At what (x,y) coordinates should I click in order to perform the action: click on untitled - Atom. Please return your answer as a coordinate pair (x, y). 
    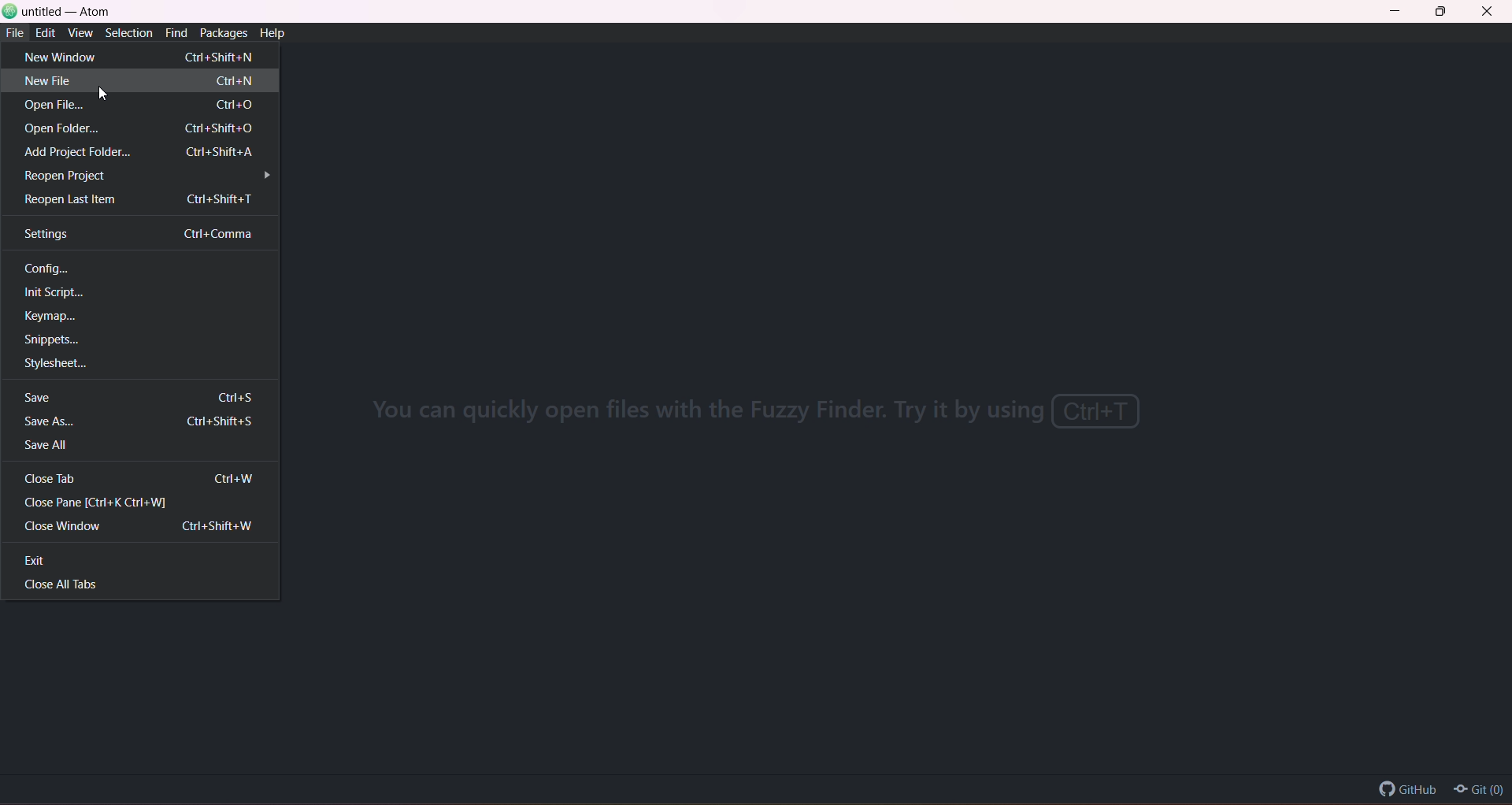
    Looking at the image, I should click on (68, 13).